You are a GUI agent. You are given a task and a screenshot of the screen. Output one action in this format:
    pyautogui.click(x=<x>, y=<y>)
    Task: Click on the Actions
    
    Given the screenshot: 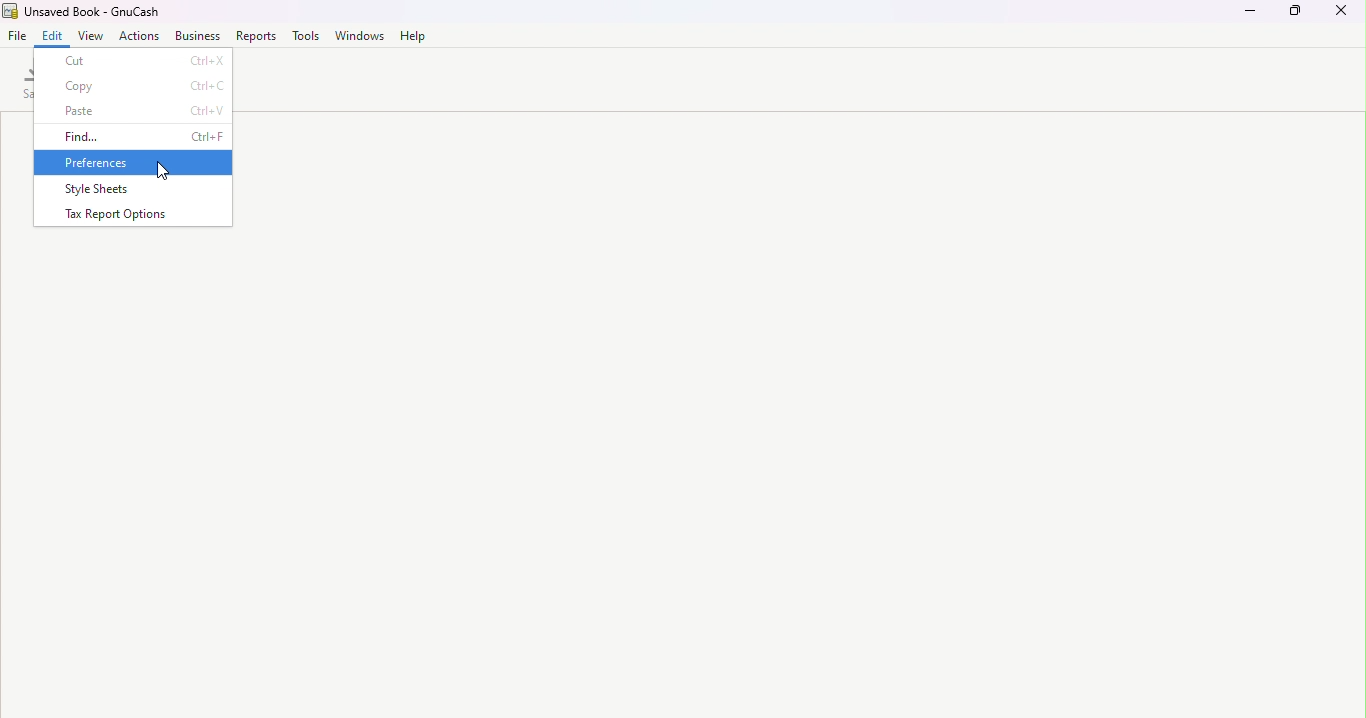 What is the action you would take?
    pyautogui.click(x=139, y=38)
    